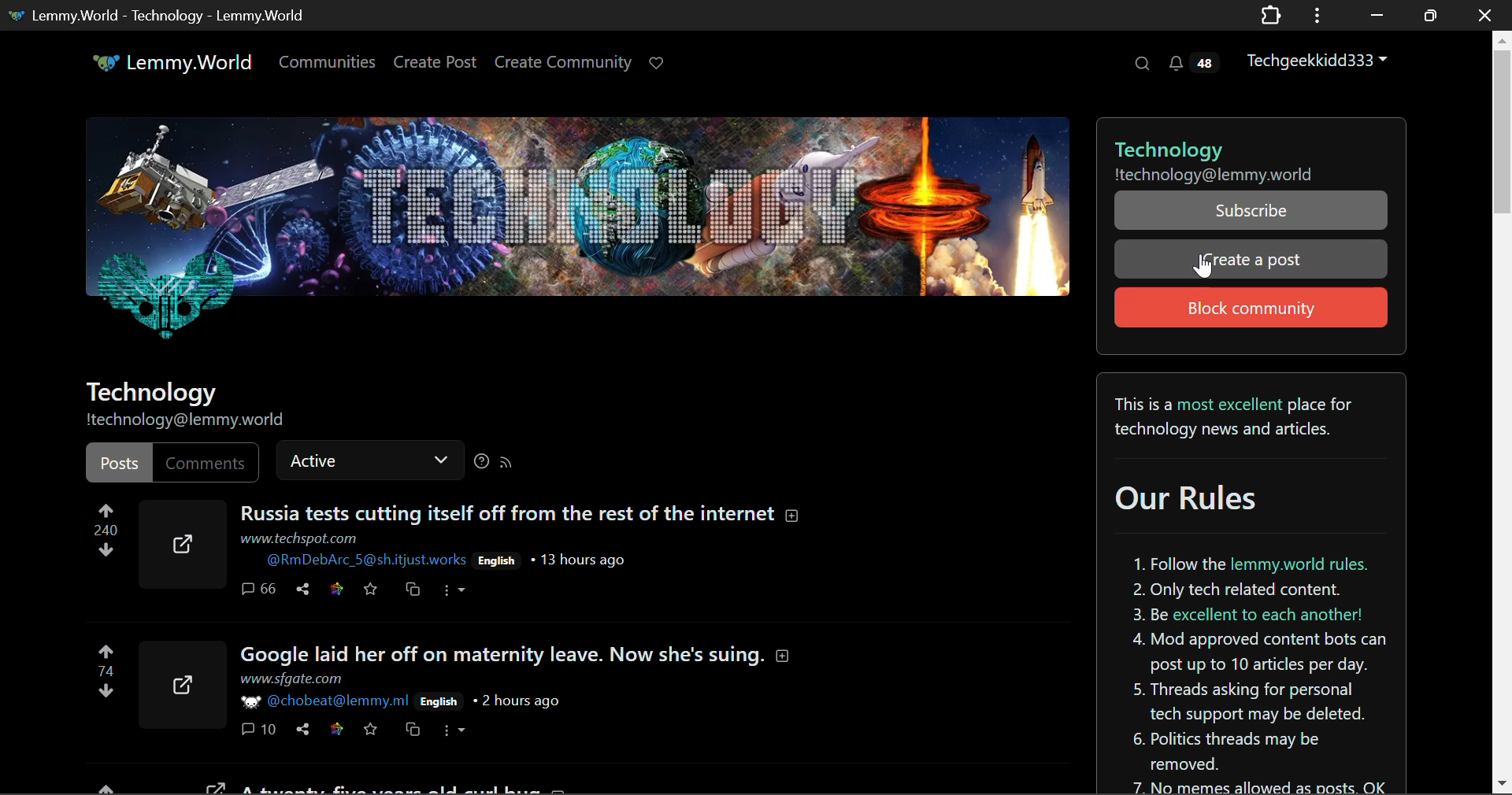 The height and width of the screenshot is (795, 1512). I want to click on Close Window, so click(1485, 14).